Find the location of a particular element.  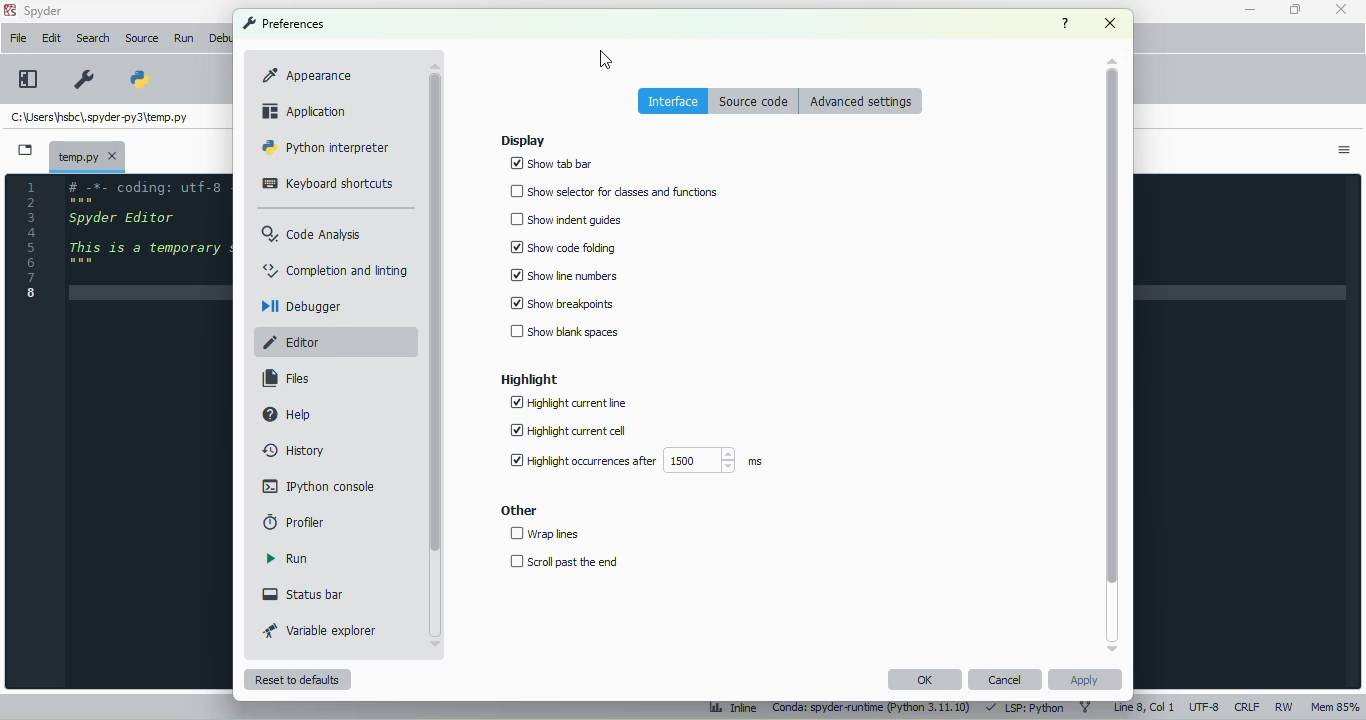

run is located at coordinates (185, 38).